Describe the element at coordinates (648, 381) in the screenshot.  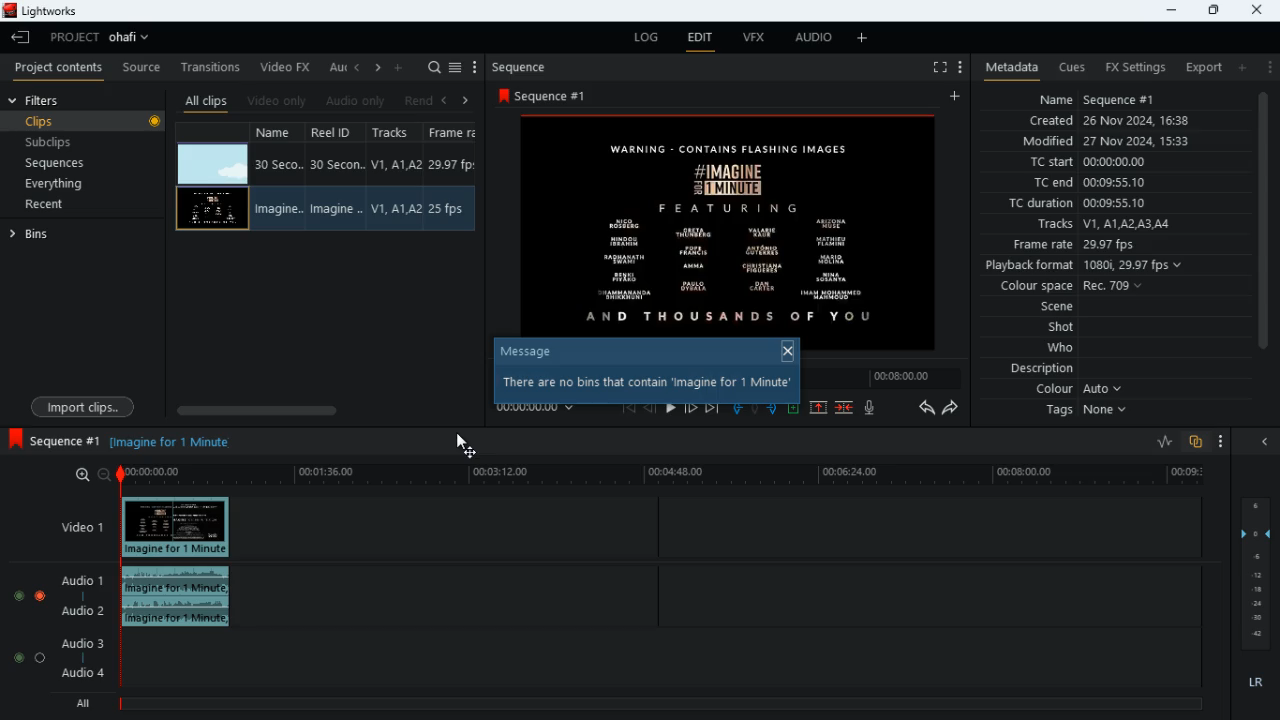
I see `conditon` at that location.